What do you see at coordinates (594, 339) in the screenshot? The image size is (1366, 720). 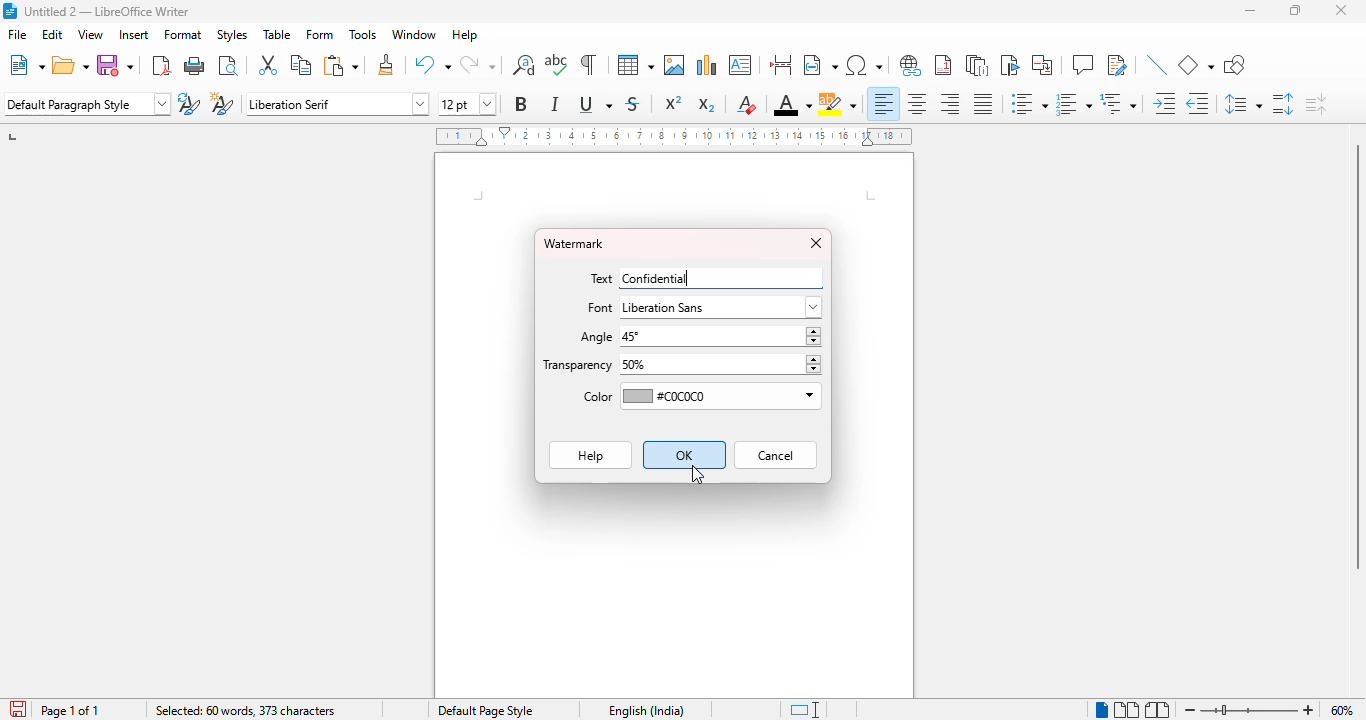 I see `Angle` at bounding box center [594, 339].